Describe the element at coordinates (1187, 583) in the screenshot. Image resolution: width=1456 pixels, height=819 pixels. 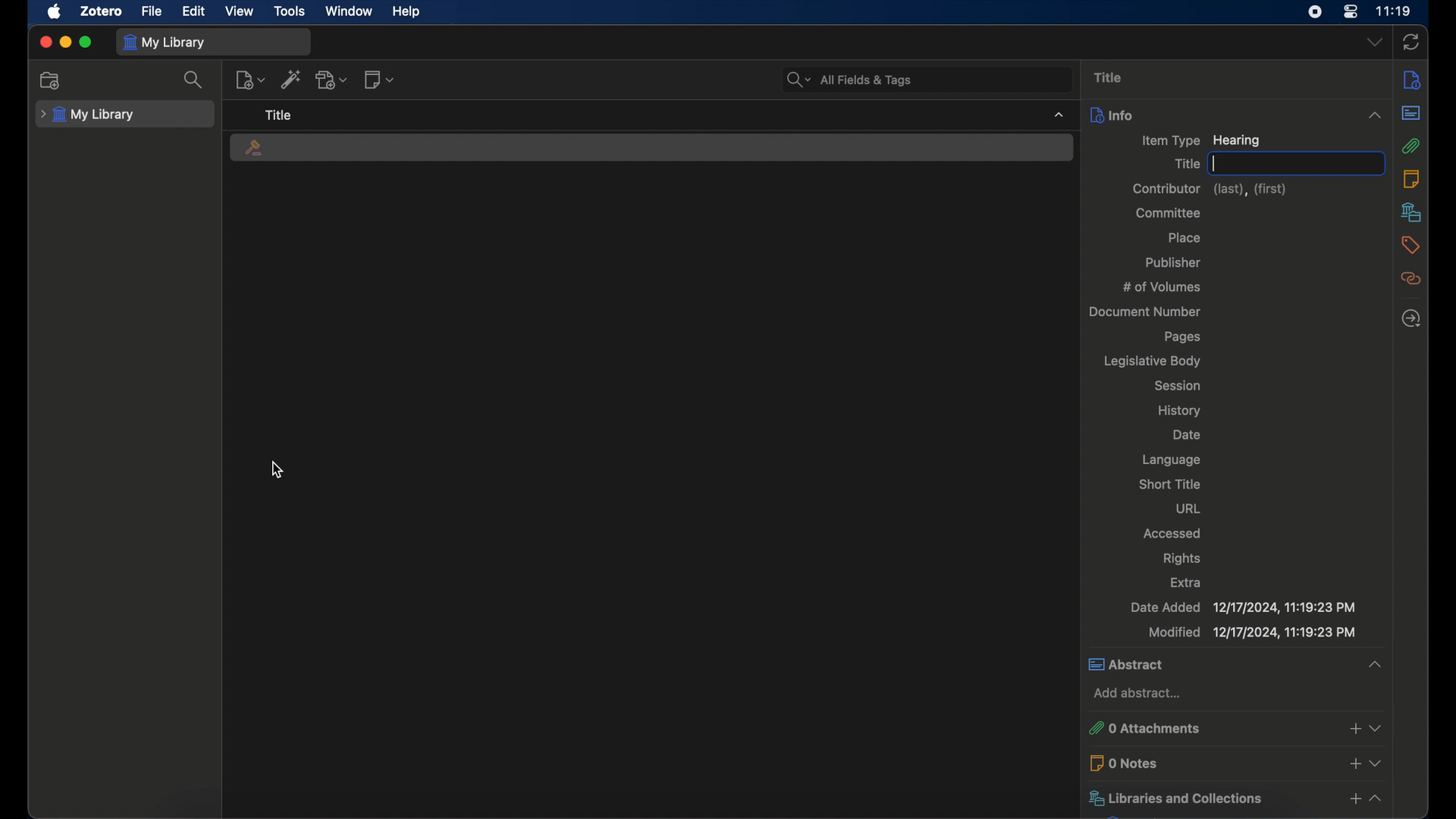
I see `extra` at that location.